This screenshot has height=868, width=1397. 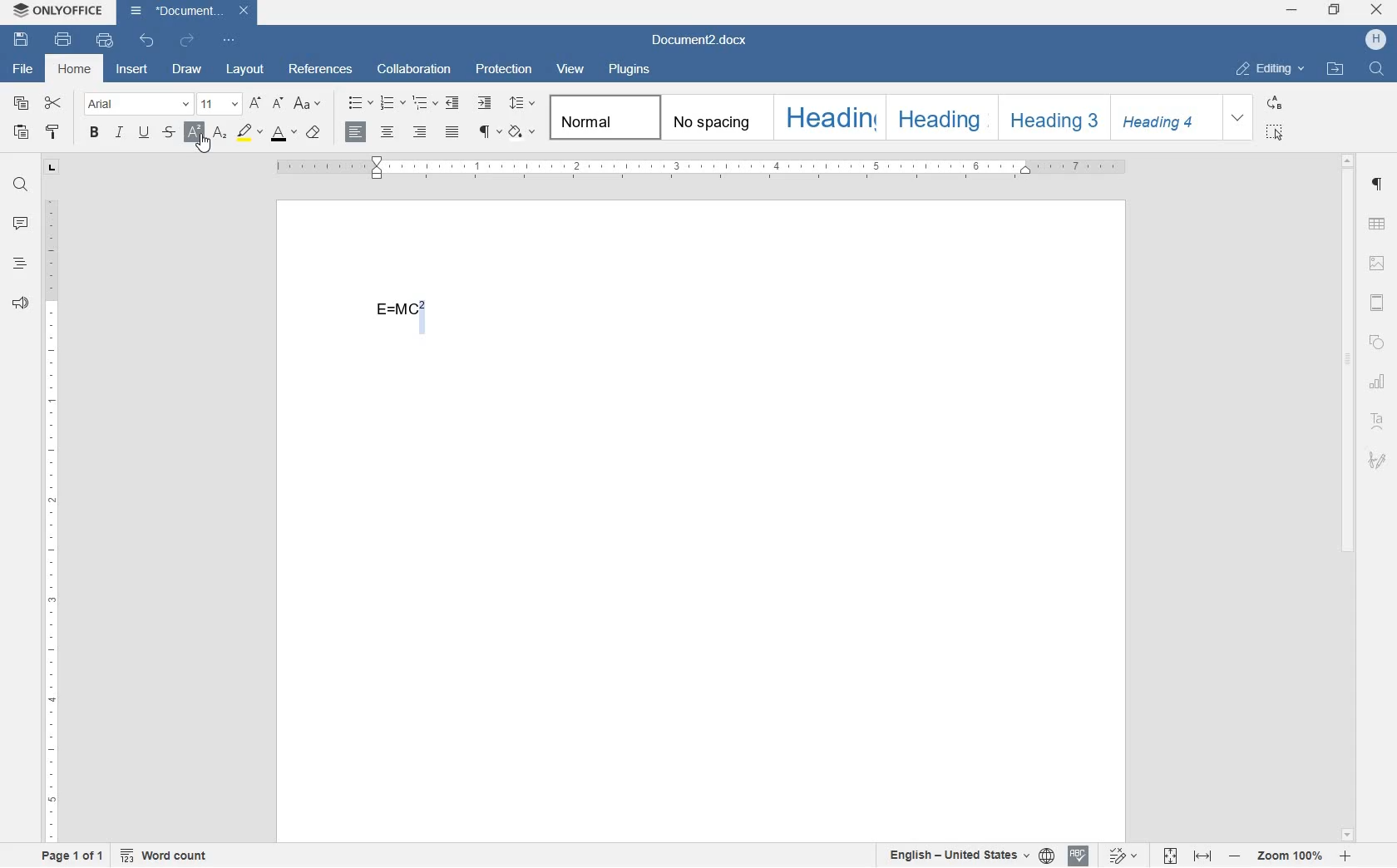 What do you see at coordinates (20, 224) in the screenshot?
I see `comments` at bounding box center [20, 224].